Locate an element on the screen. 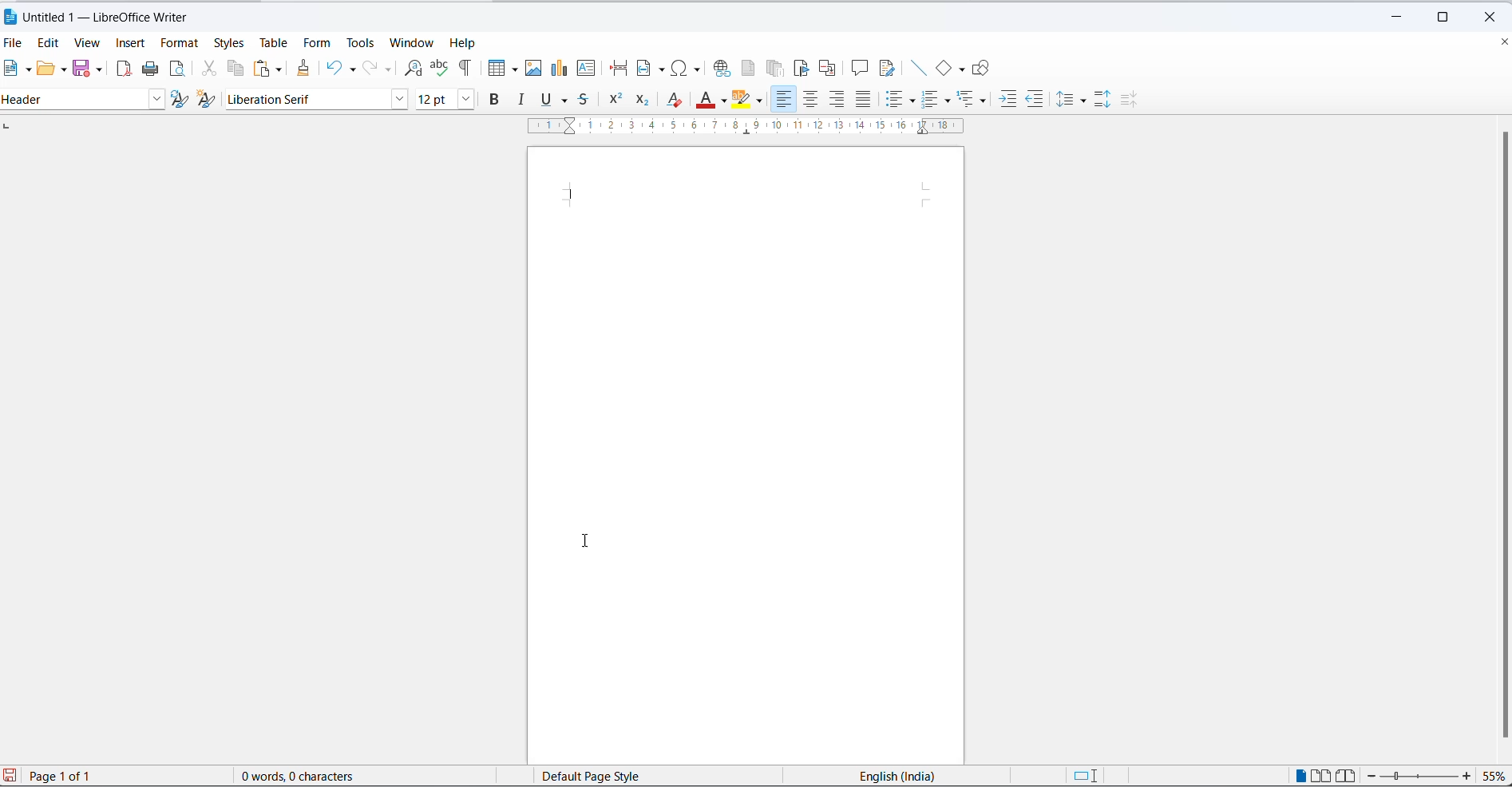 This screenshot has height=787, width=1512. insert field is located at coordinates (649, 69).